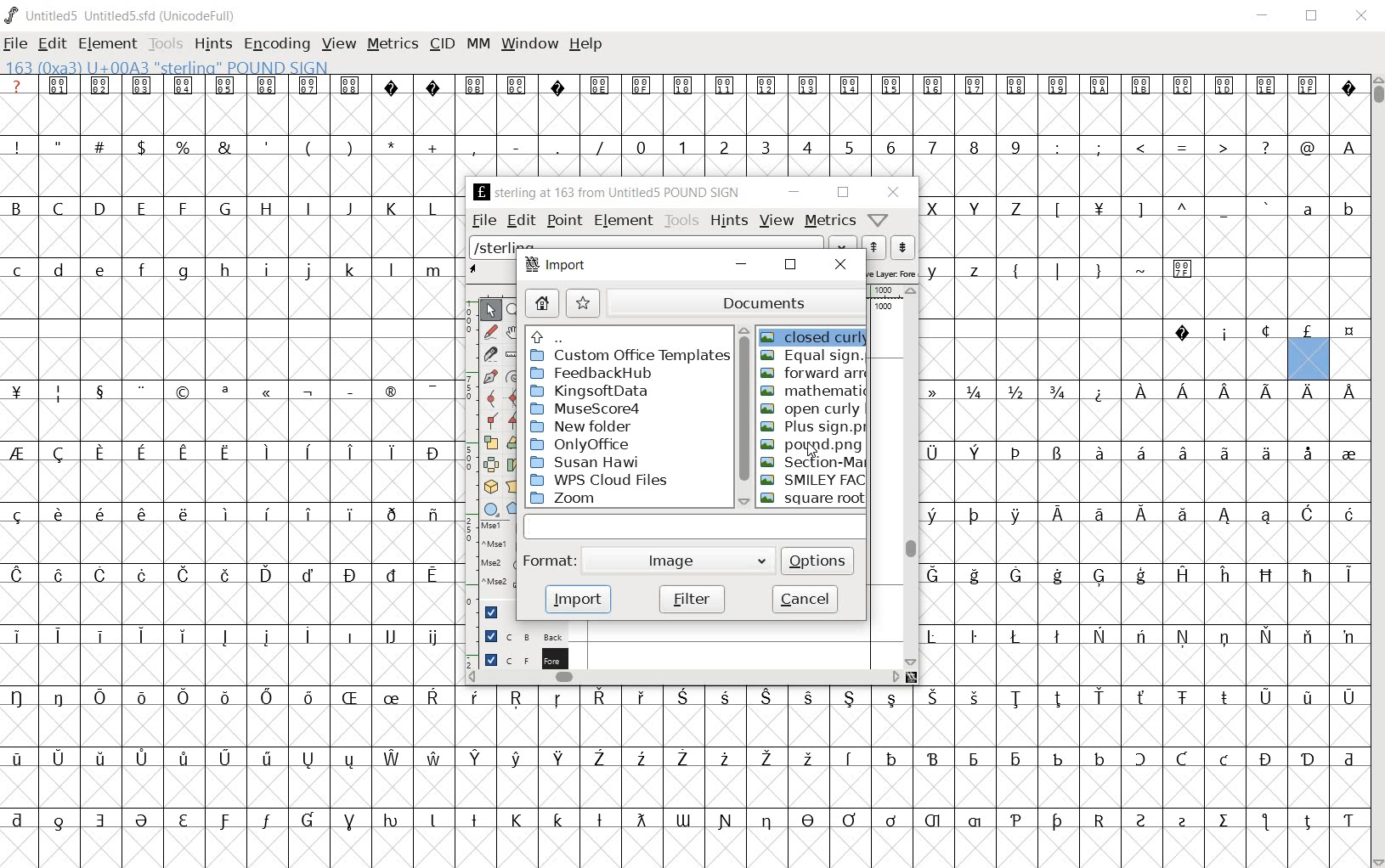  Describe the element at coordinates (1141, 637) in the screenshot. I see `Symbol` at that location.